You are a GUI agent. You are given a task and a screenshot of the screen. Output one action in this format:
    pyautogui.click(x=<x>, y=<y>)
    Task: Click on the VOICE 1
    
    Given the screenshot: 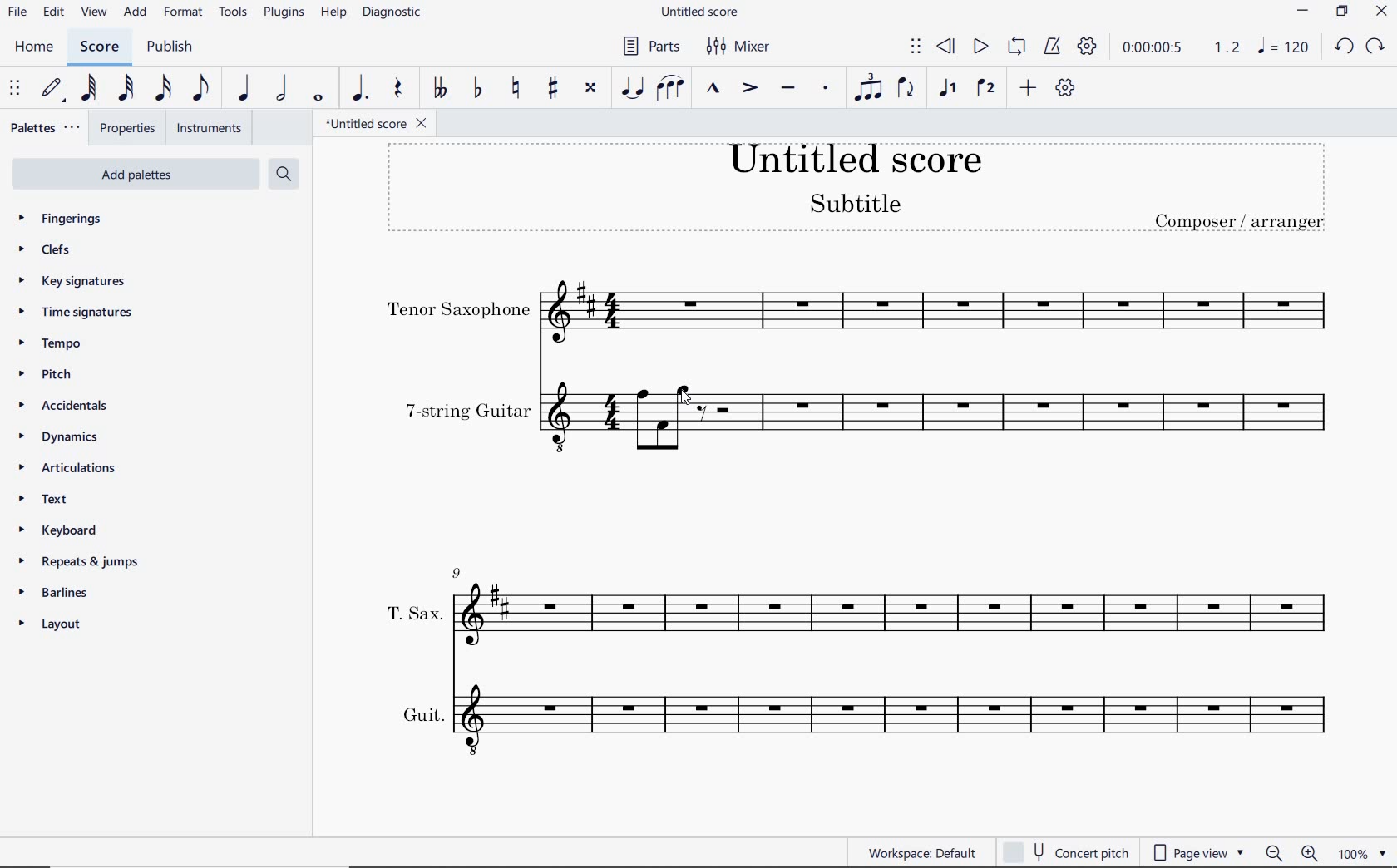 What is the action you would take?
    pyautogui.click(x=945, y=89)
    